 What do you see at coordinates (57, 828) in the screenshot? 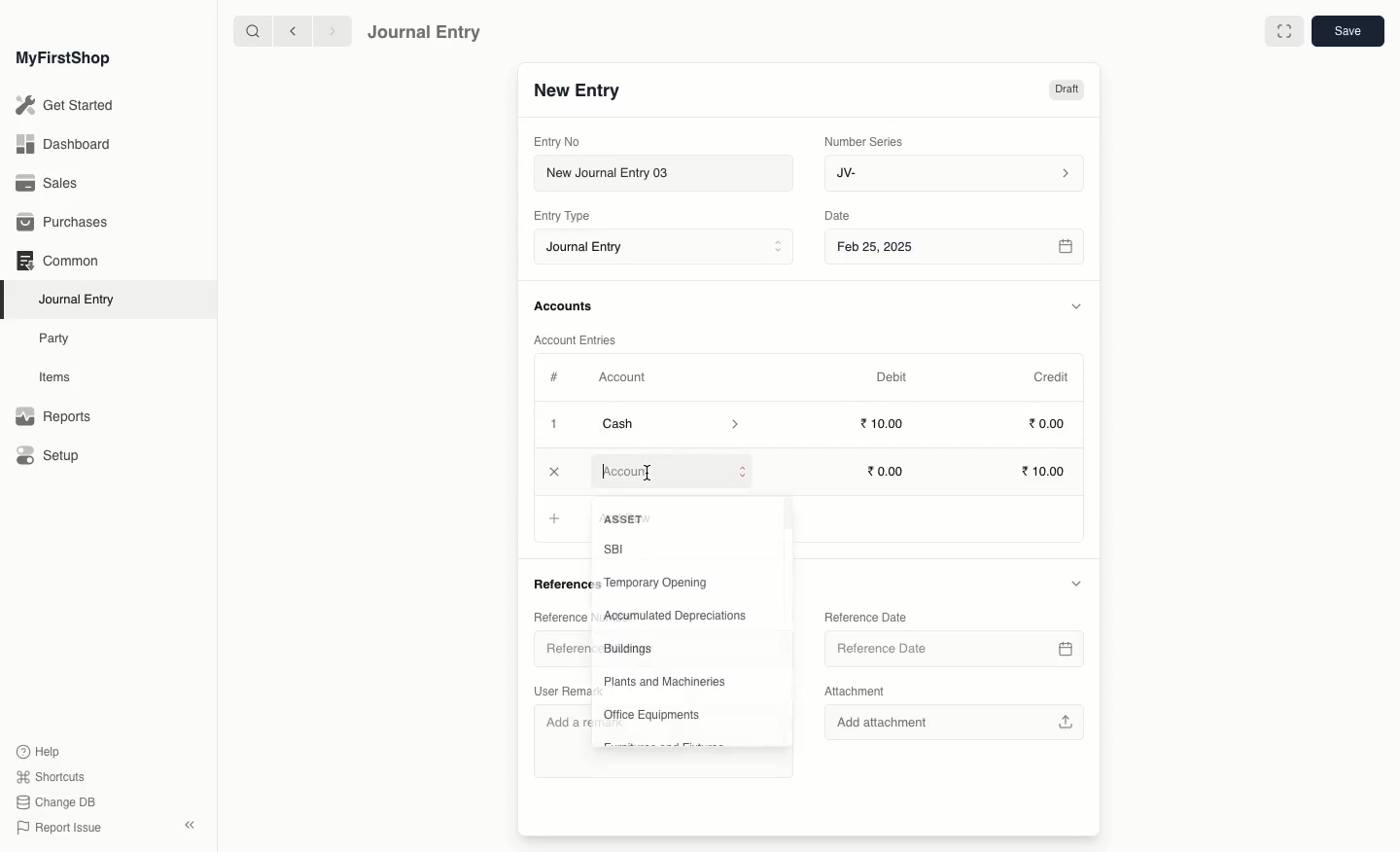
I see `Report Issue` at bounding box center [57, 828].